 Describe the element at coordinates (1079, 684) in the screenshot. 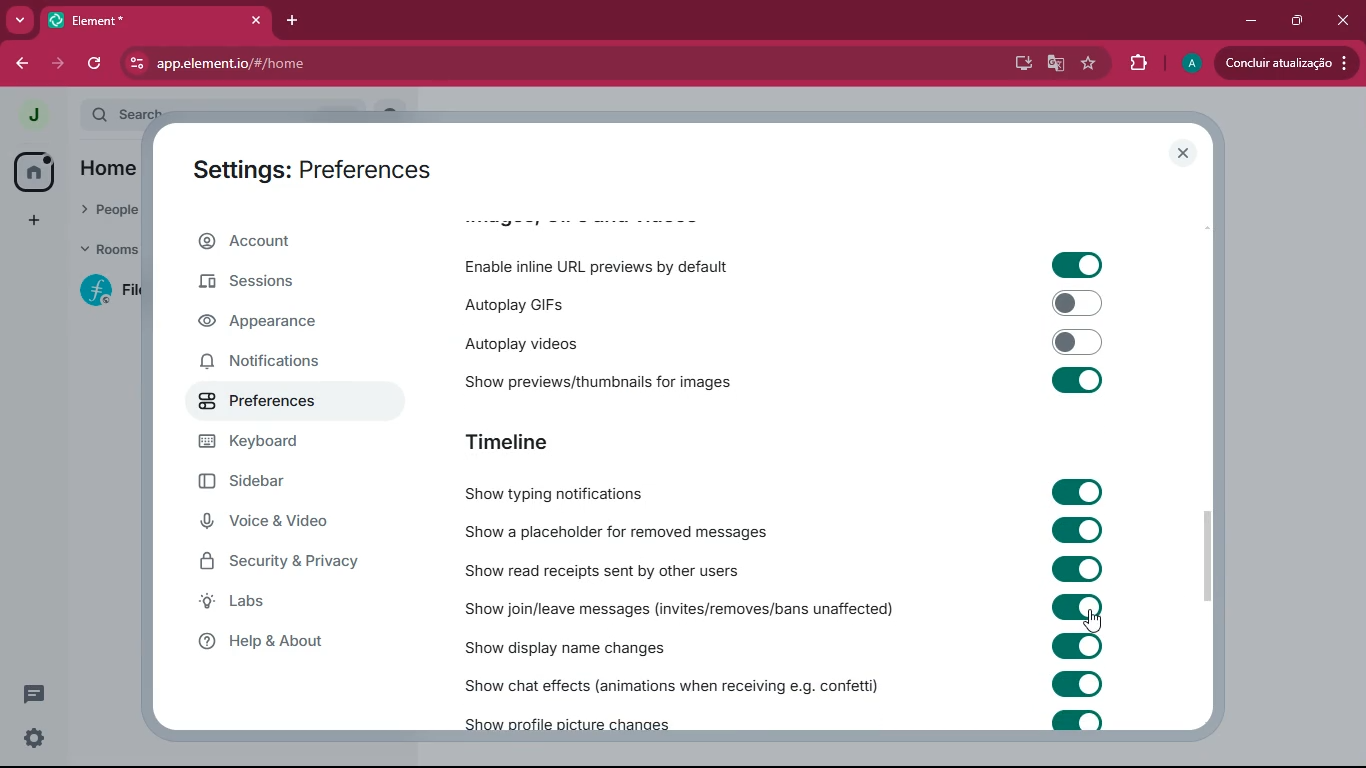

I see `toggle on/off` at that location.